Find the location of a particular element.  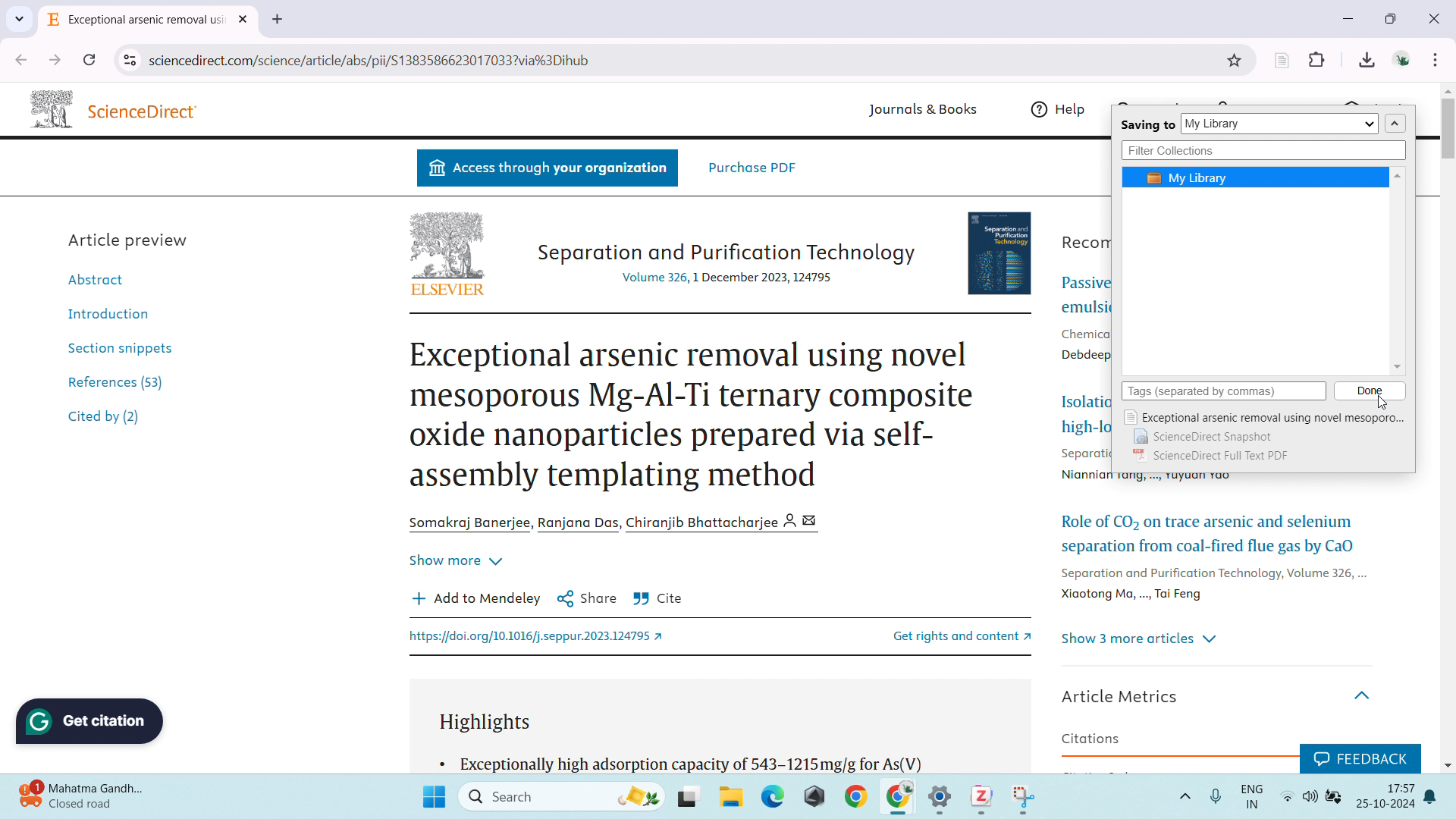

scroll down is located at coordinates (1447, 764).